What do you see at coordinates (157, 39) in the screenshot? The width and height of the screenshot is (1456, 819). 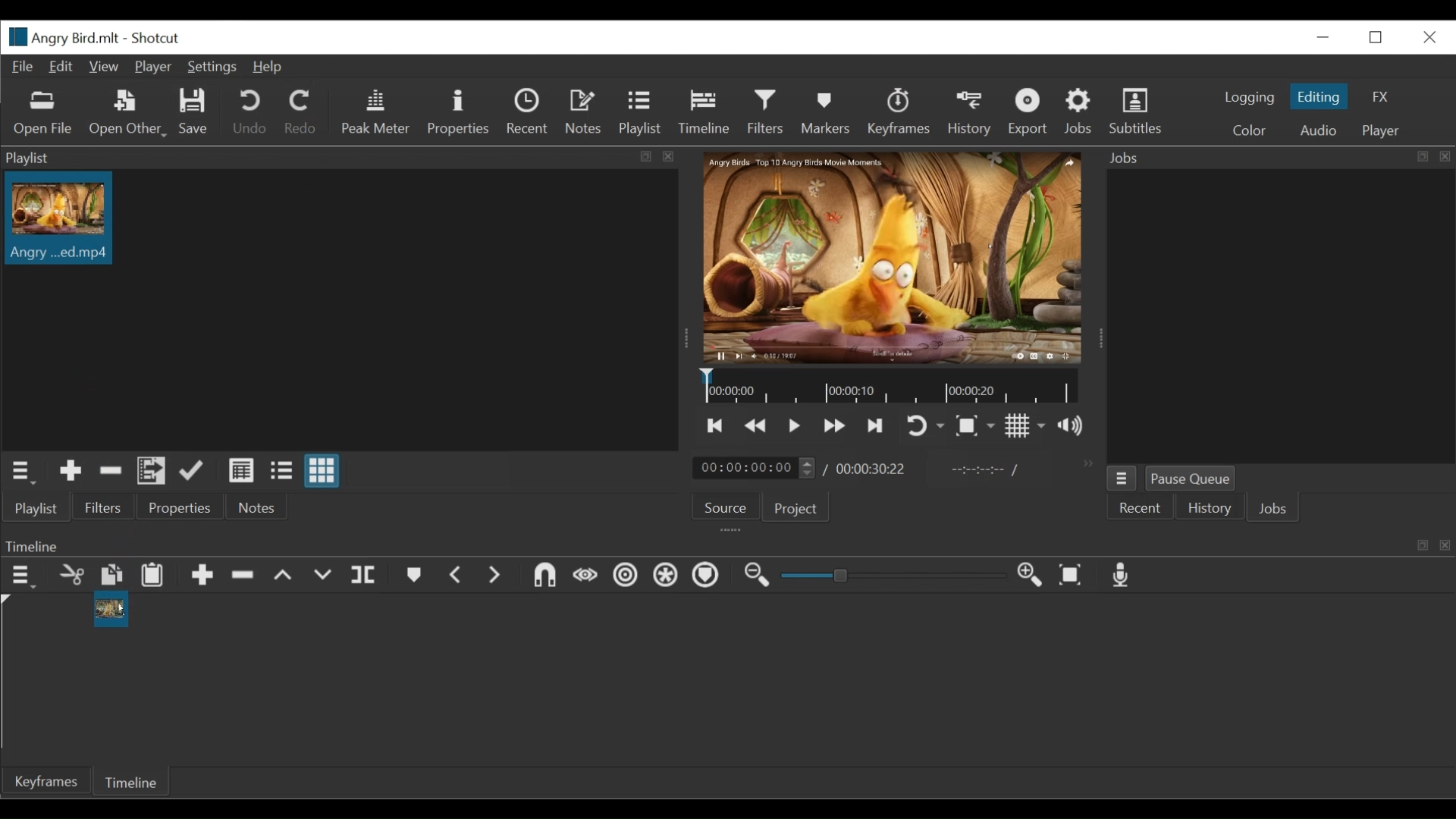 I see `Shotcut` at bounding box center [157, 39].